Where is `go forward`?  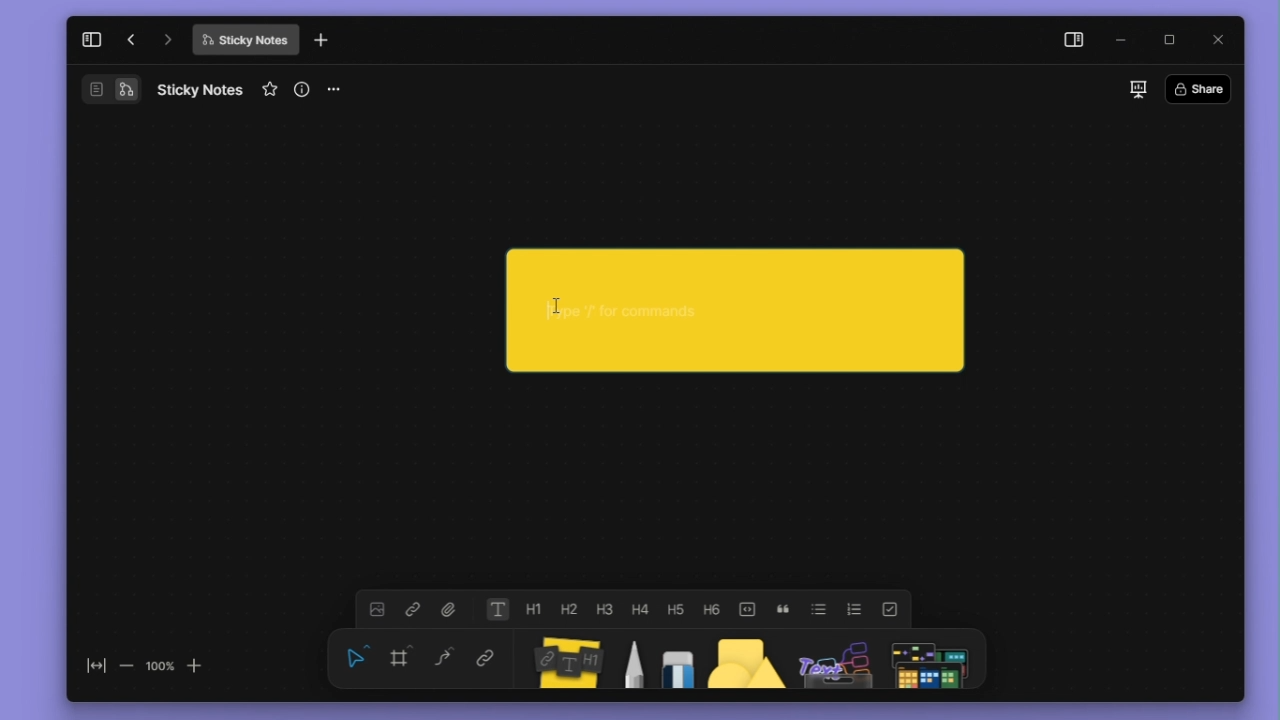
go forward is located at coordinates (164, 44).